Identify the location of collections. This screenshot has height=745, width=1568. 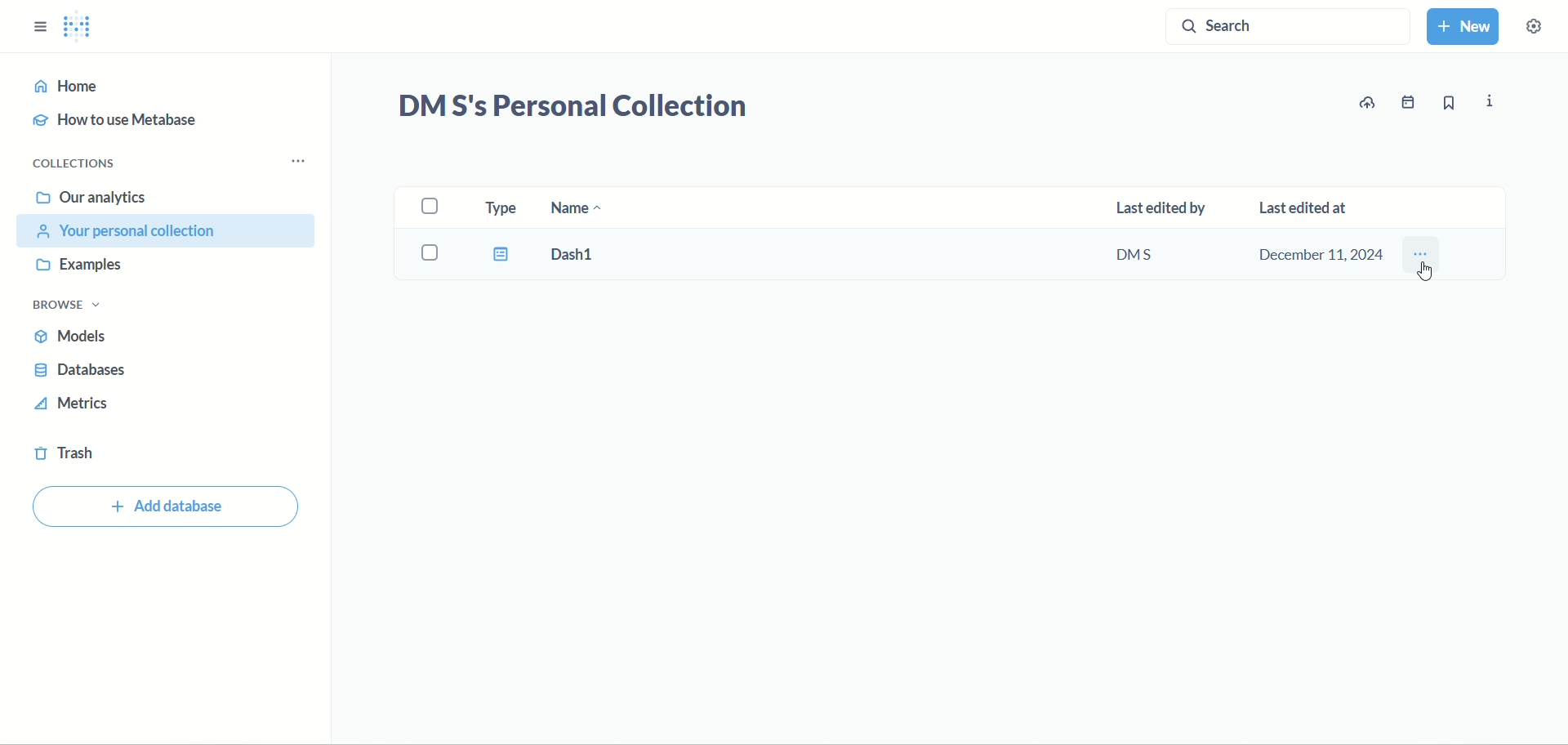
(79, 163).